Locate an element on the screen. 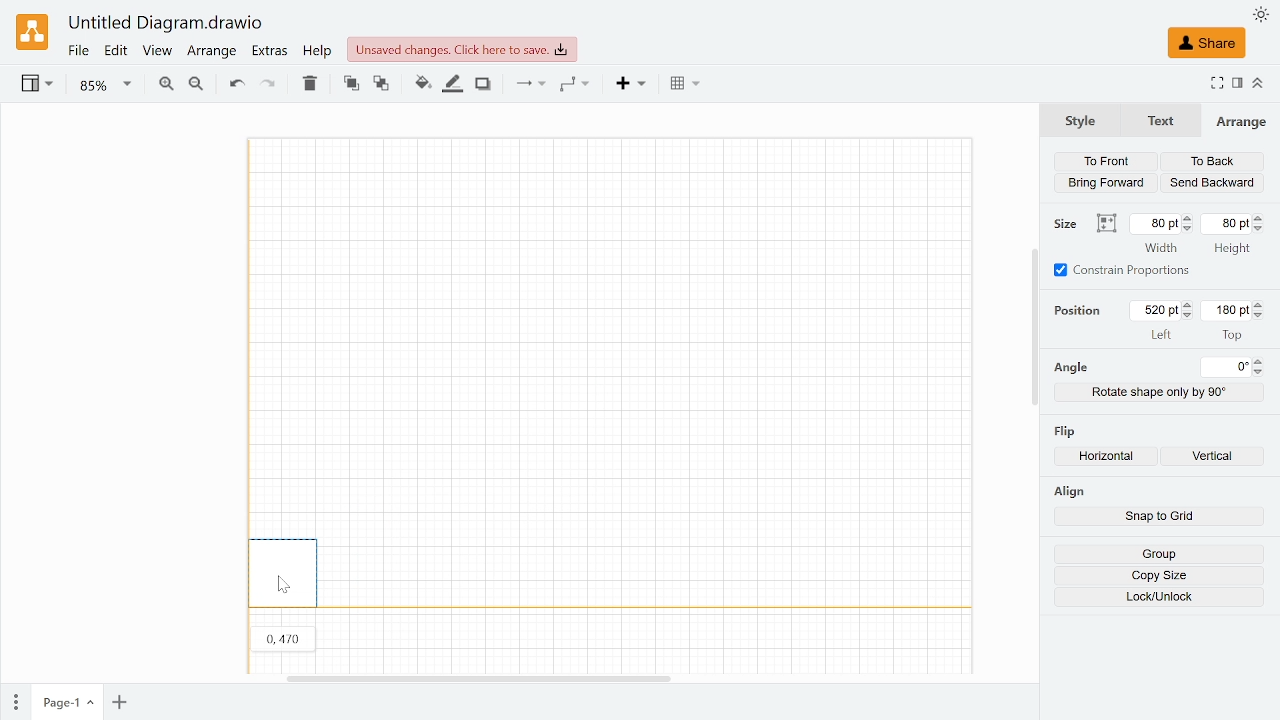  Bring forward is located at coordinates (1108, 182).